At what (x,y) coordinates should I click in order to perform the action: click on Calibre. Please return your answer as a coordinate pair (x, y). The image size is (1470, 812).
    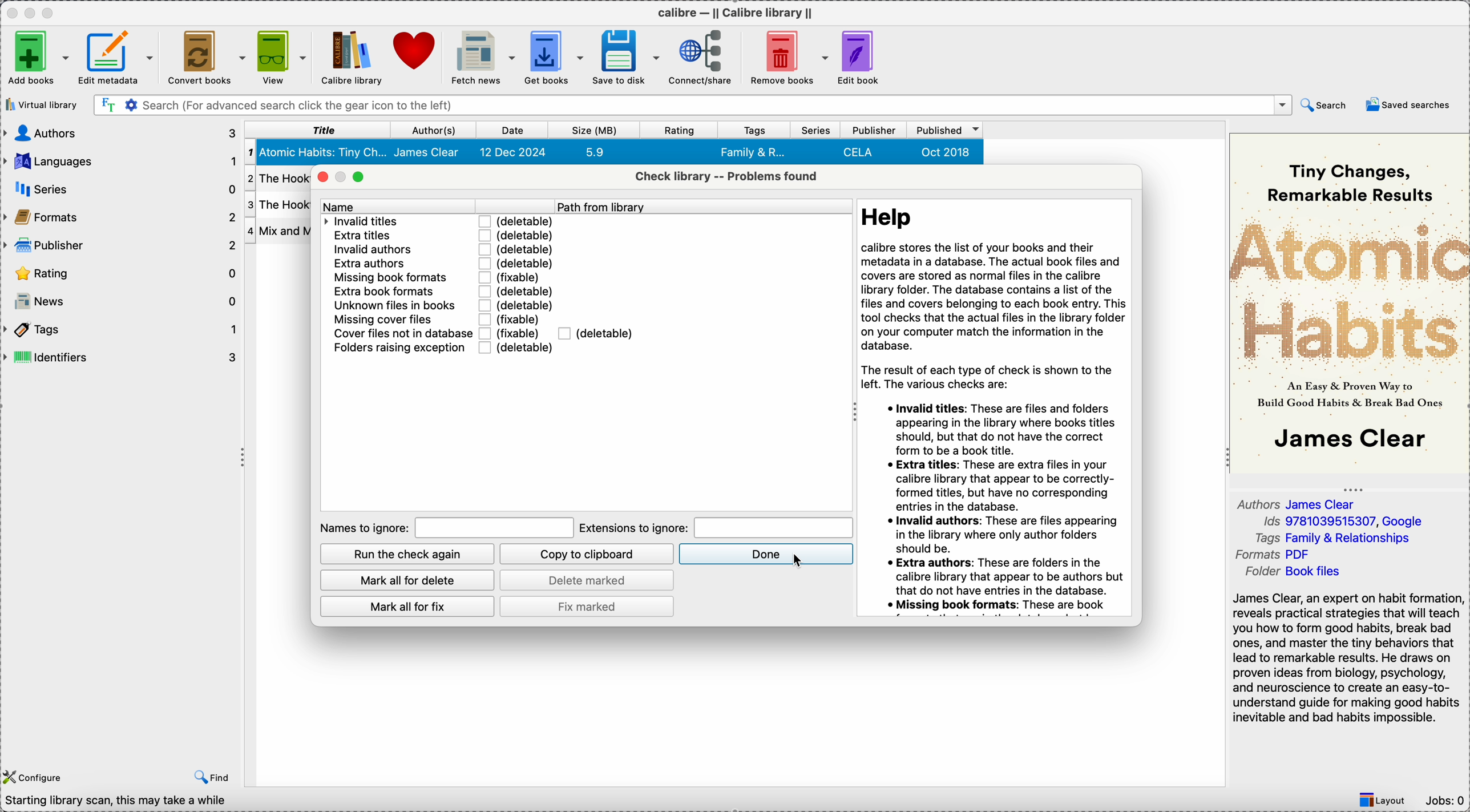
    Looking at the image, I should click on (738, 11).